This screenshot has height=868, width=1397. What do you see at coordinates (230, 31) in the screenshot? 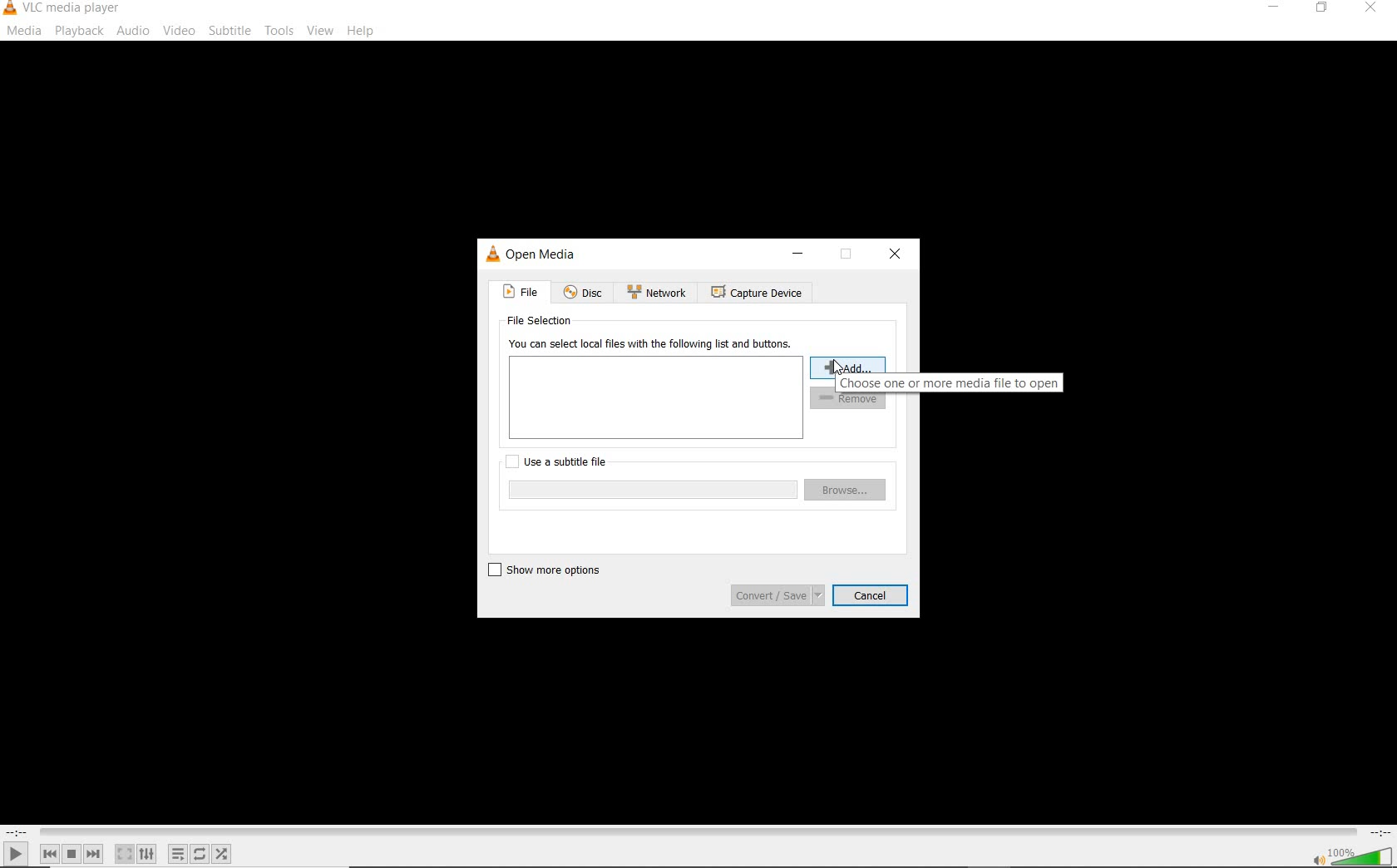
I see `subtitle` at bounding box center [230, 31].